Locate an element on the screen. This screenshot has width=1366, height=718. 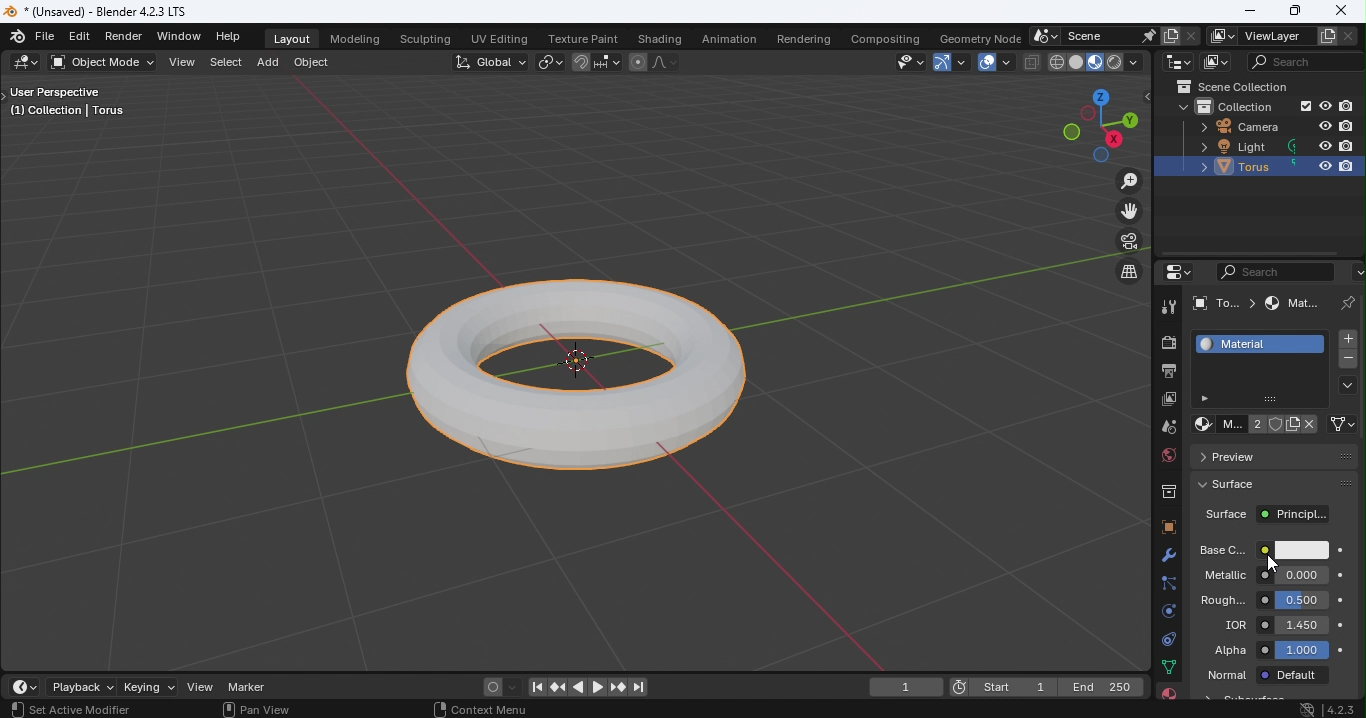
System update is located at coordinates (1306, 708).